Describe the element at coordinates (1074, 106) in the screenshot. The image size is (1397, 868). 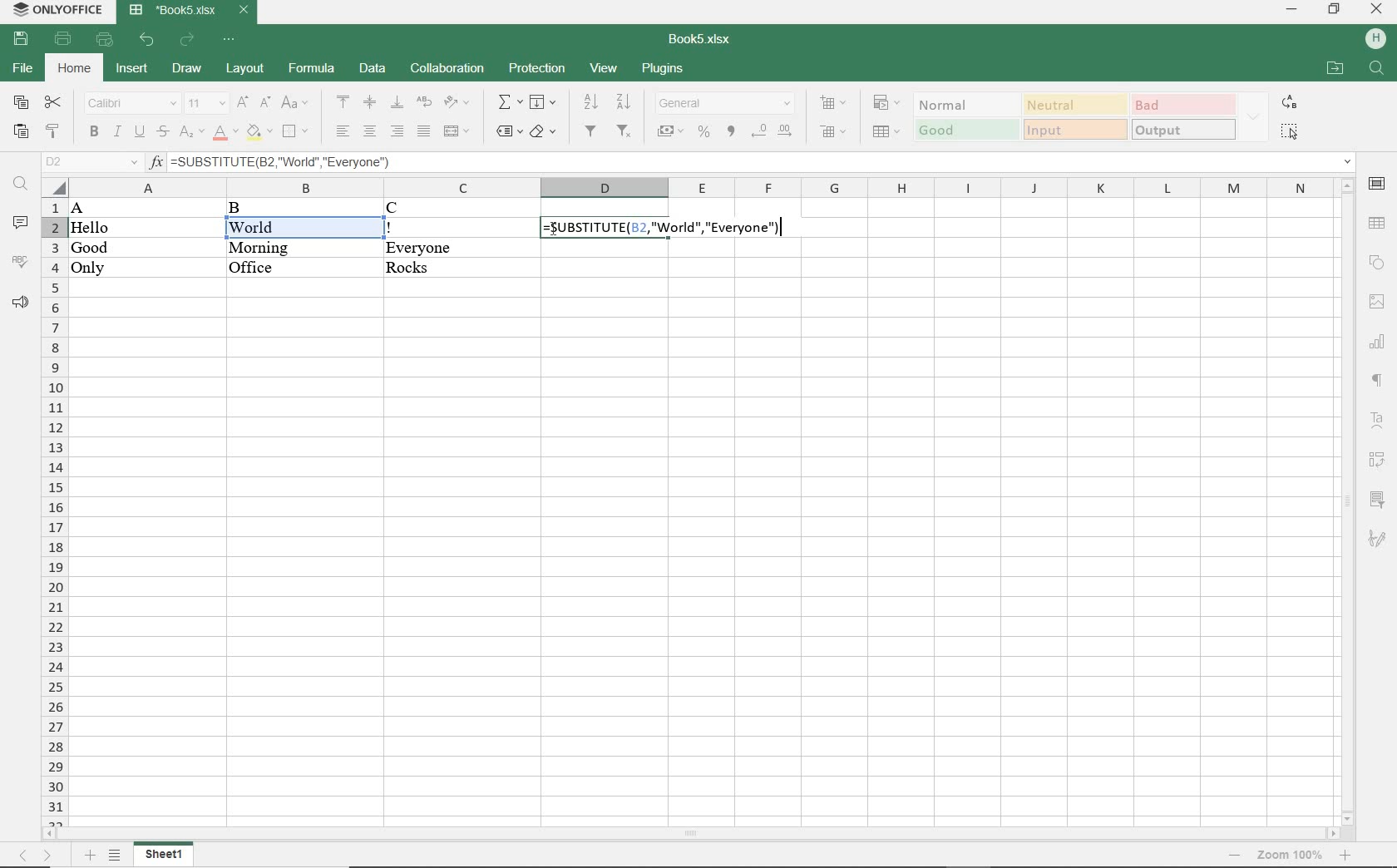
I see `neutral` at that location.